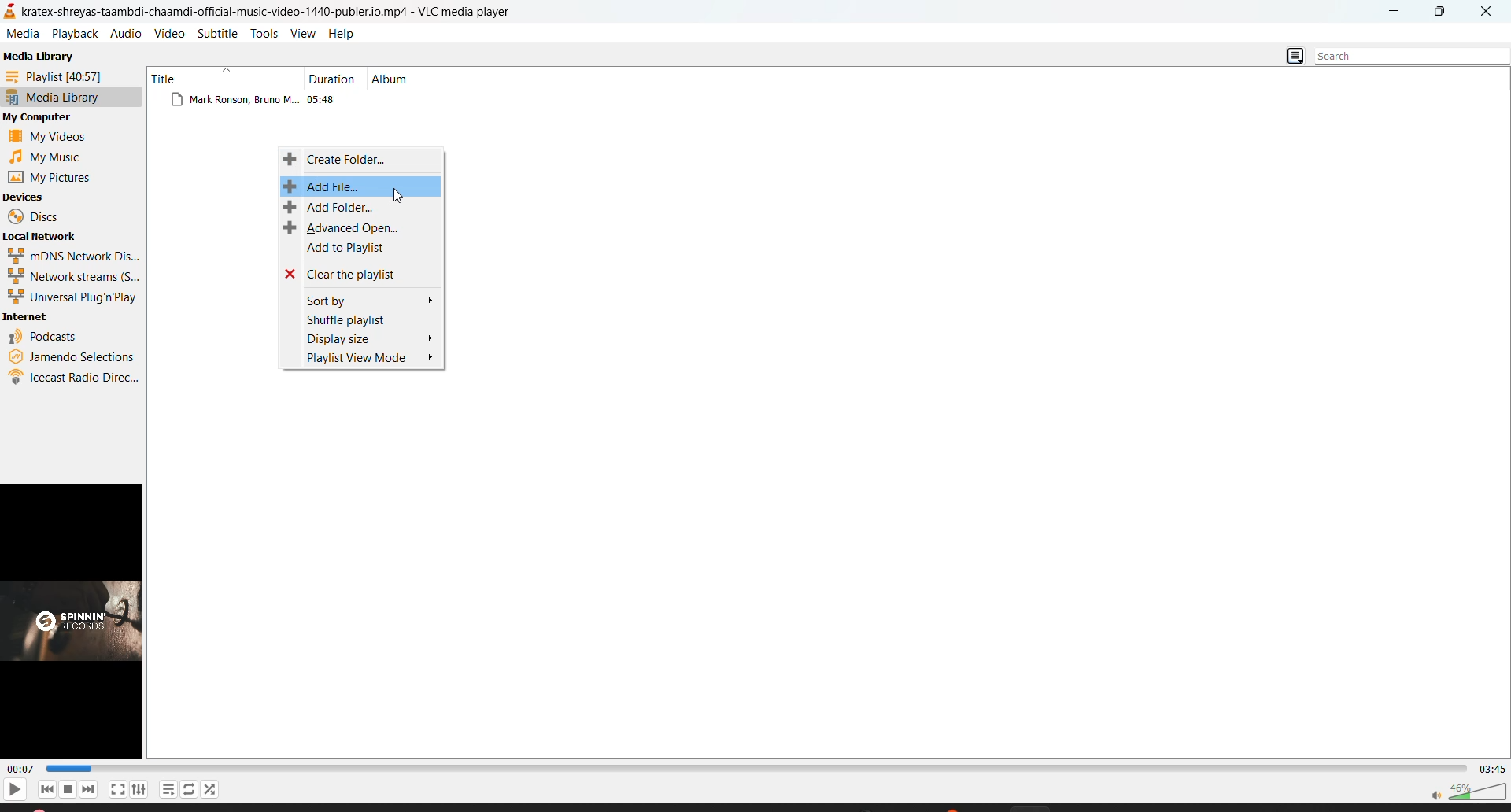 Image resolution: width=1511 pixels, height=812 pixels. I want to click on random, so click(206, 789).